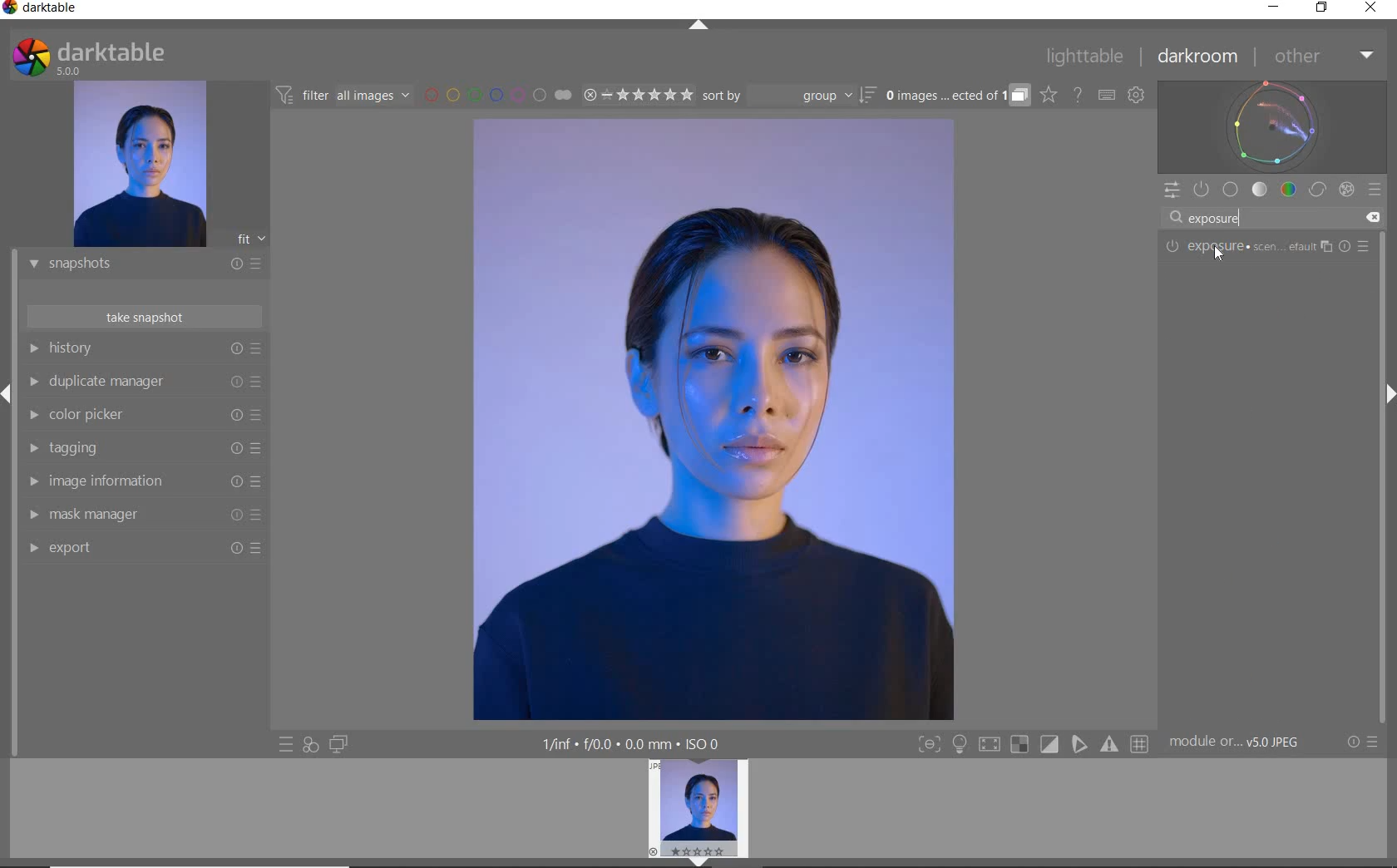  What do you see at coordinates (1231, 190) in the screenshot?
I see `BASE` at bounding box center [1231, 190].